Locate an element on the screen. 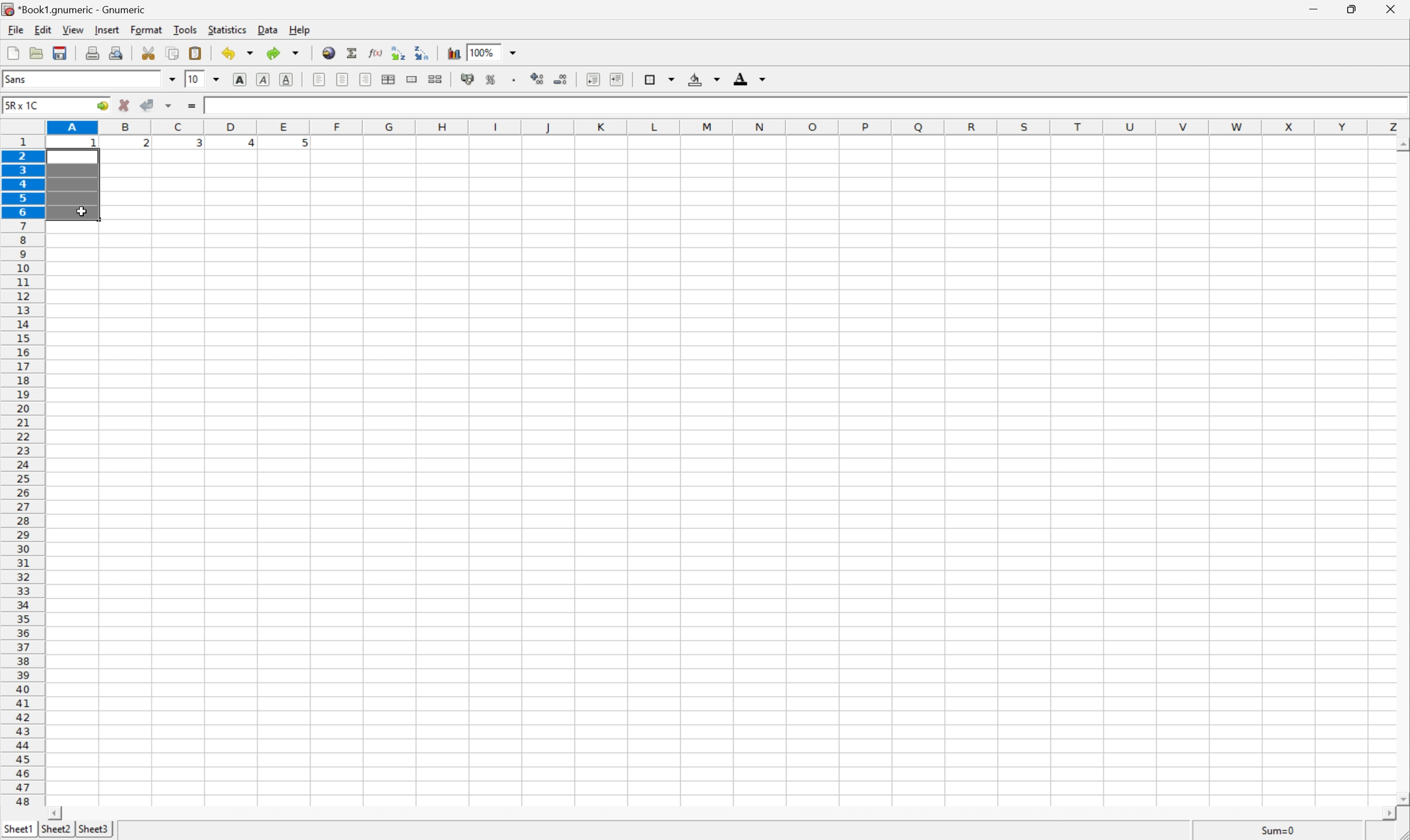 Image resolution: width=1410 pixels, height=840 pixels. cut is located at coordinates (147, 52).